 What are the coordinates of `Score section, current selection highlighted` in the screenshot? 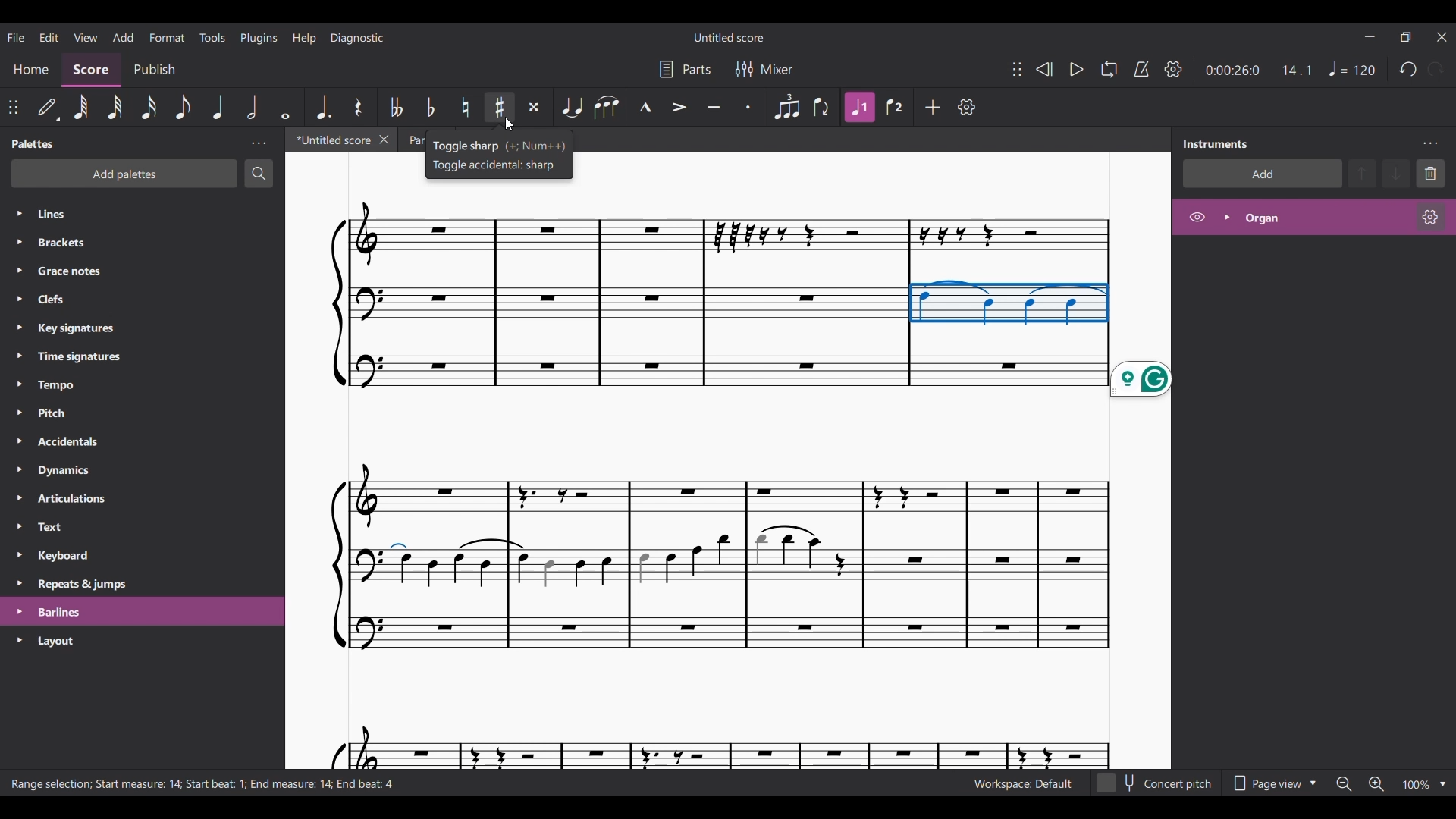 It's located at (91, 70).